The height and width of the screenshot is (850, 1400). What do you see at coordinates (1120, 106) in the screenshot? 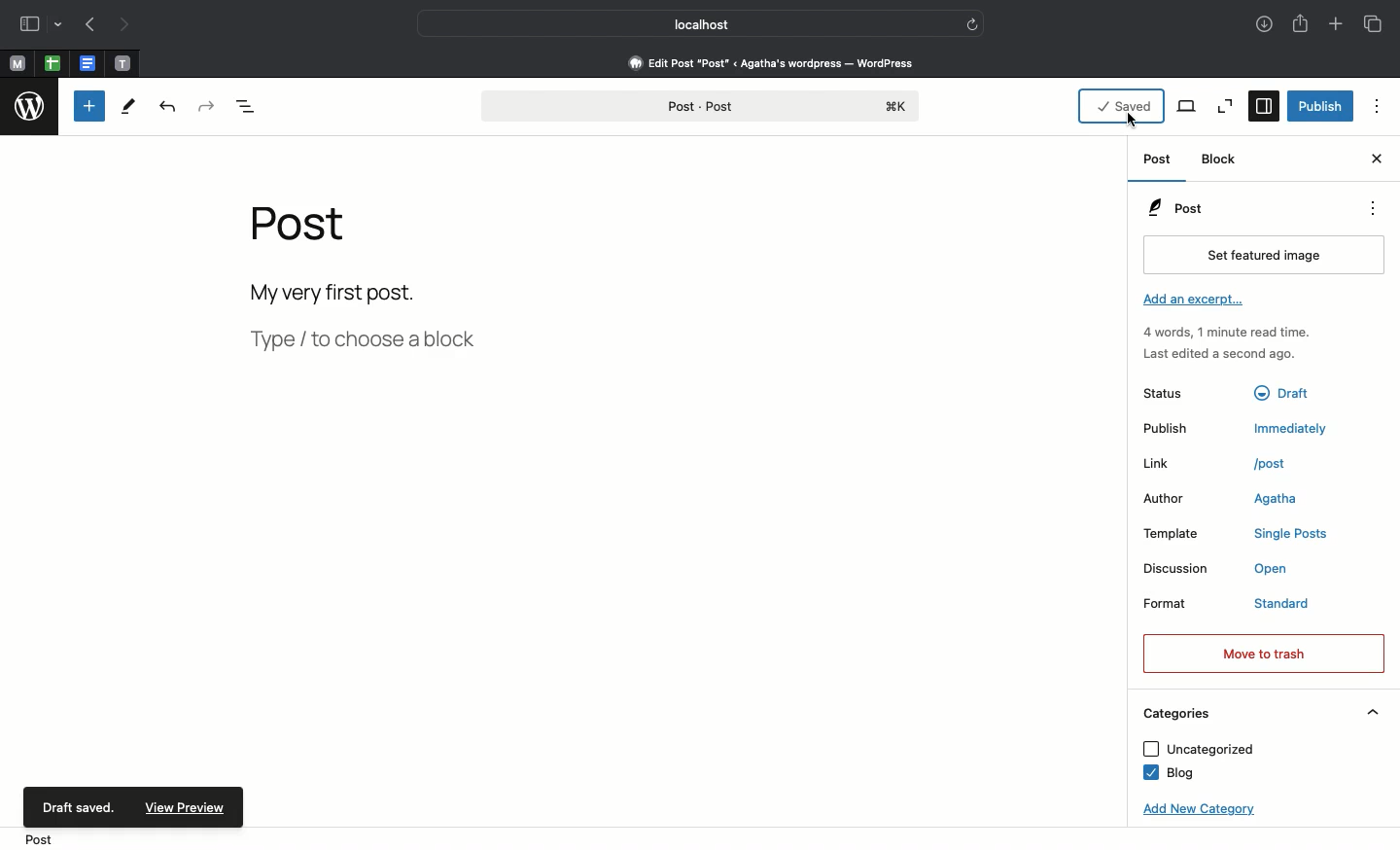
I see `Saved changes` at bounding box center [1120, 106].